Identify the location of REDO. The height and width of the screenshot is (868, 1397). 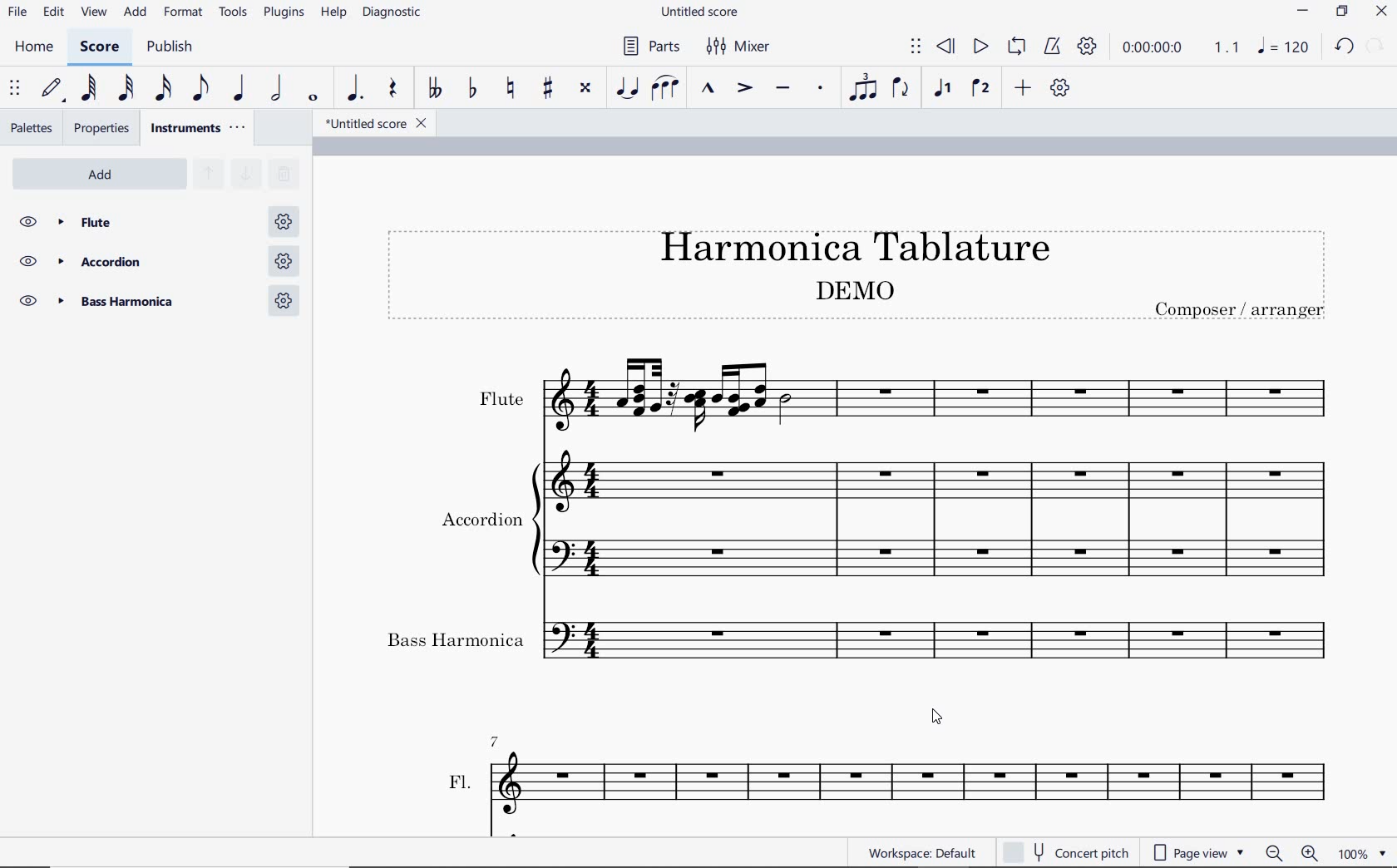
(1376, 47).